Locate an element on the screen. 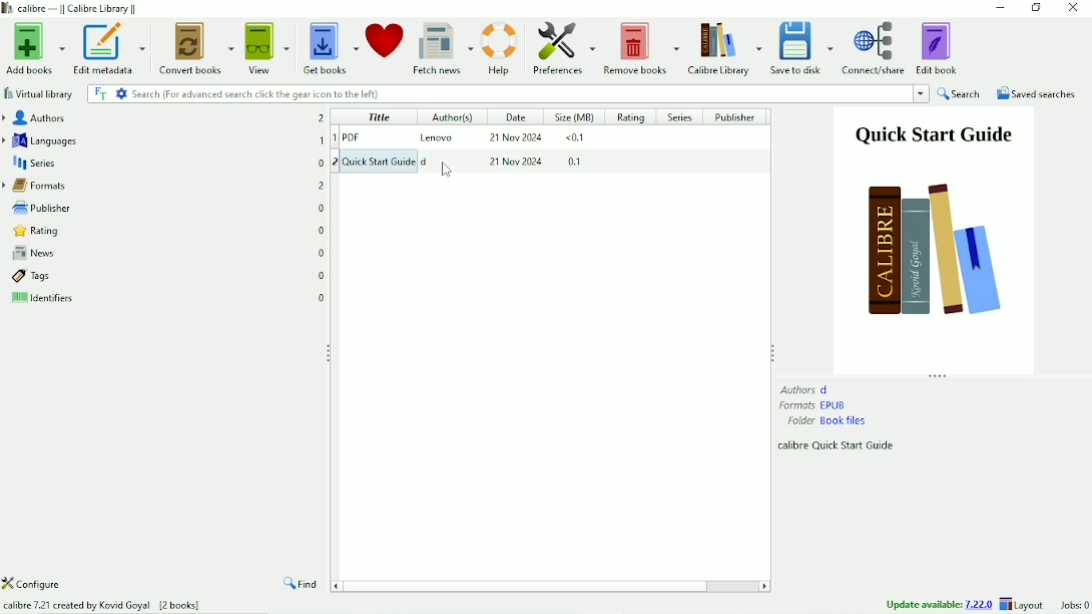  Virtual library is located at coordinates (40, 94).